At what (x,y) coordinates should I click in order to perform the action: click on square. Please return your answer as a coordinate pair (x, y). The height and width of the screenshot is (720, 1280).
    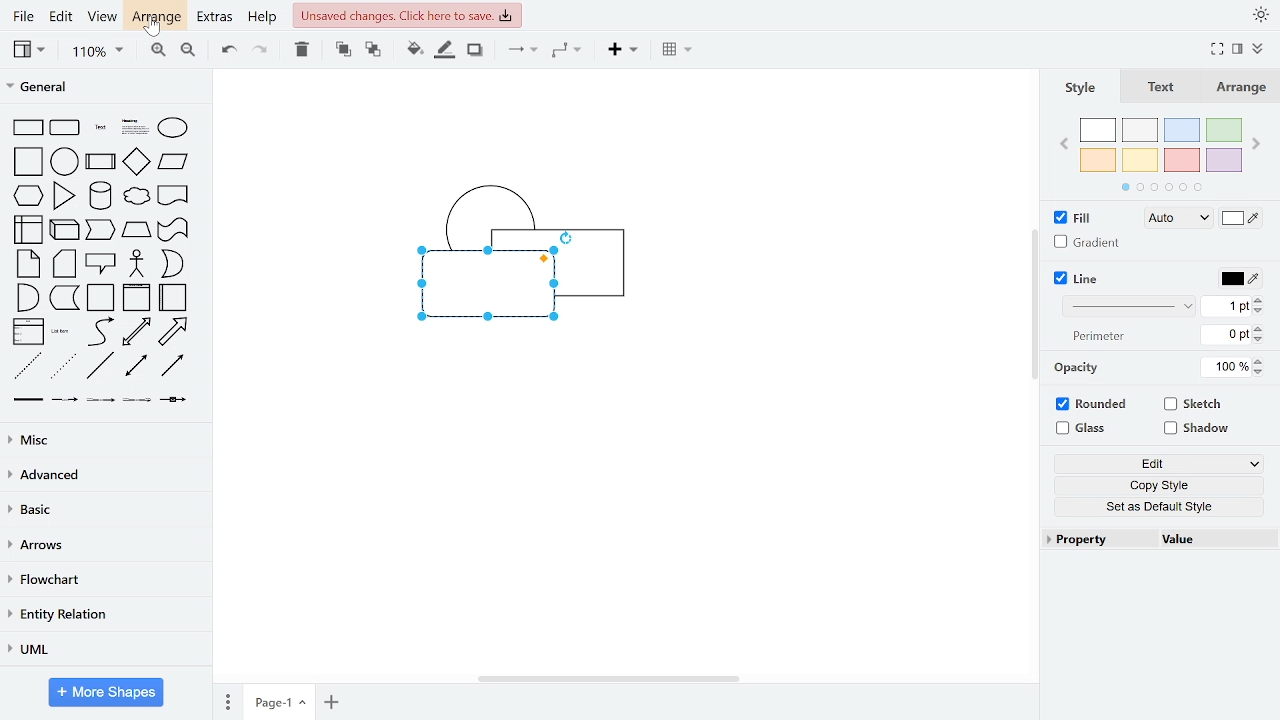
    Looking at the image, I should click on (30, 162).